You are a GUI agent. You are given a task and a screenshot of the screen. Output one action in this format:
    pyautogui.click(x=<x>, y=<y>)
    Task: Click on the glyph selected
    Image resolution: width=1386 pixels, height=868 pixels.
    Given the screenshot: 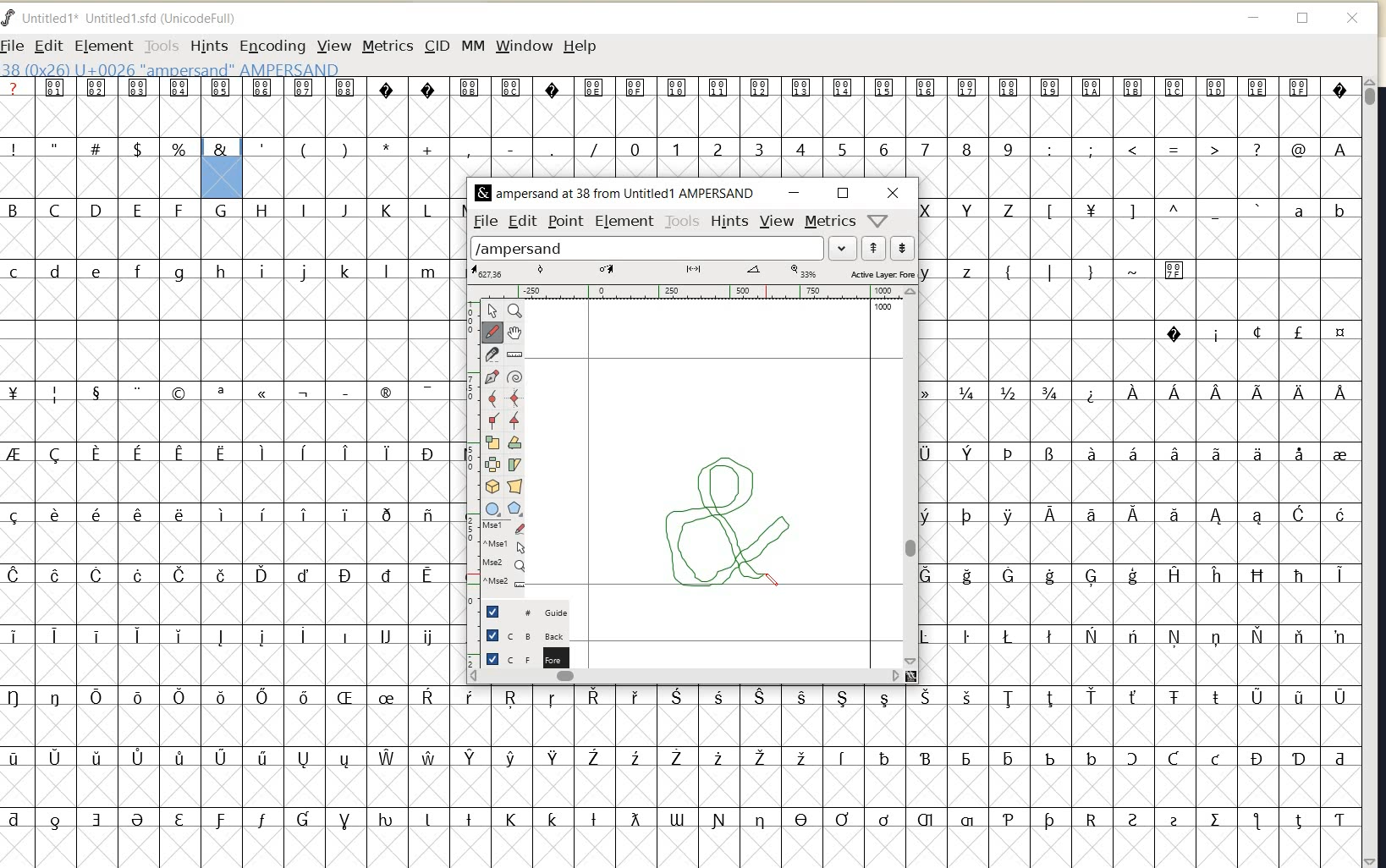 What is the action you would take?
    pyautogui.click(x=223, y=168)
    